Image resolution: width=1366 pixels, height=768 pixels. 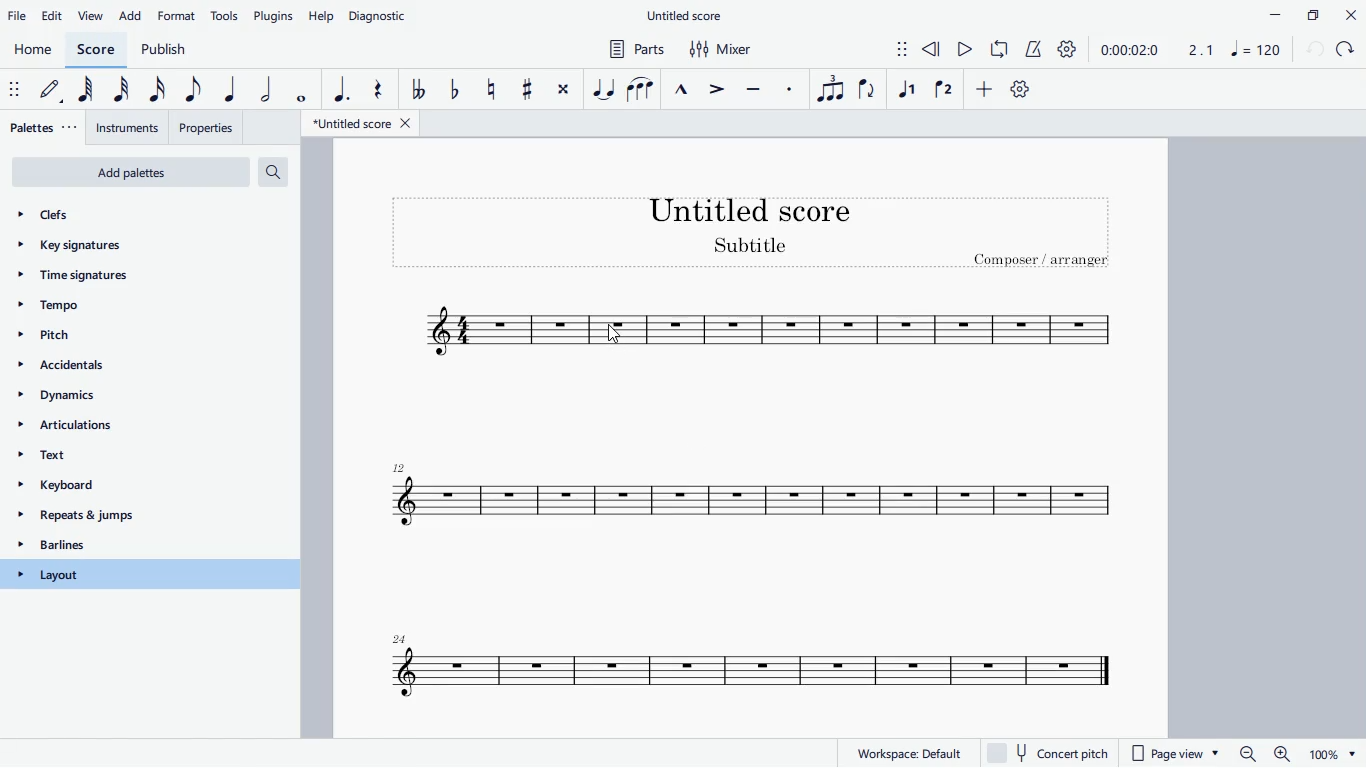 What do you see at coordinates (54, 93) in the screenshot?
I see `default` at bounding box center [54, 93].